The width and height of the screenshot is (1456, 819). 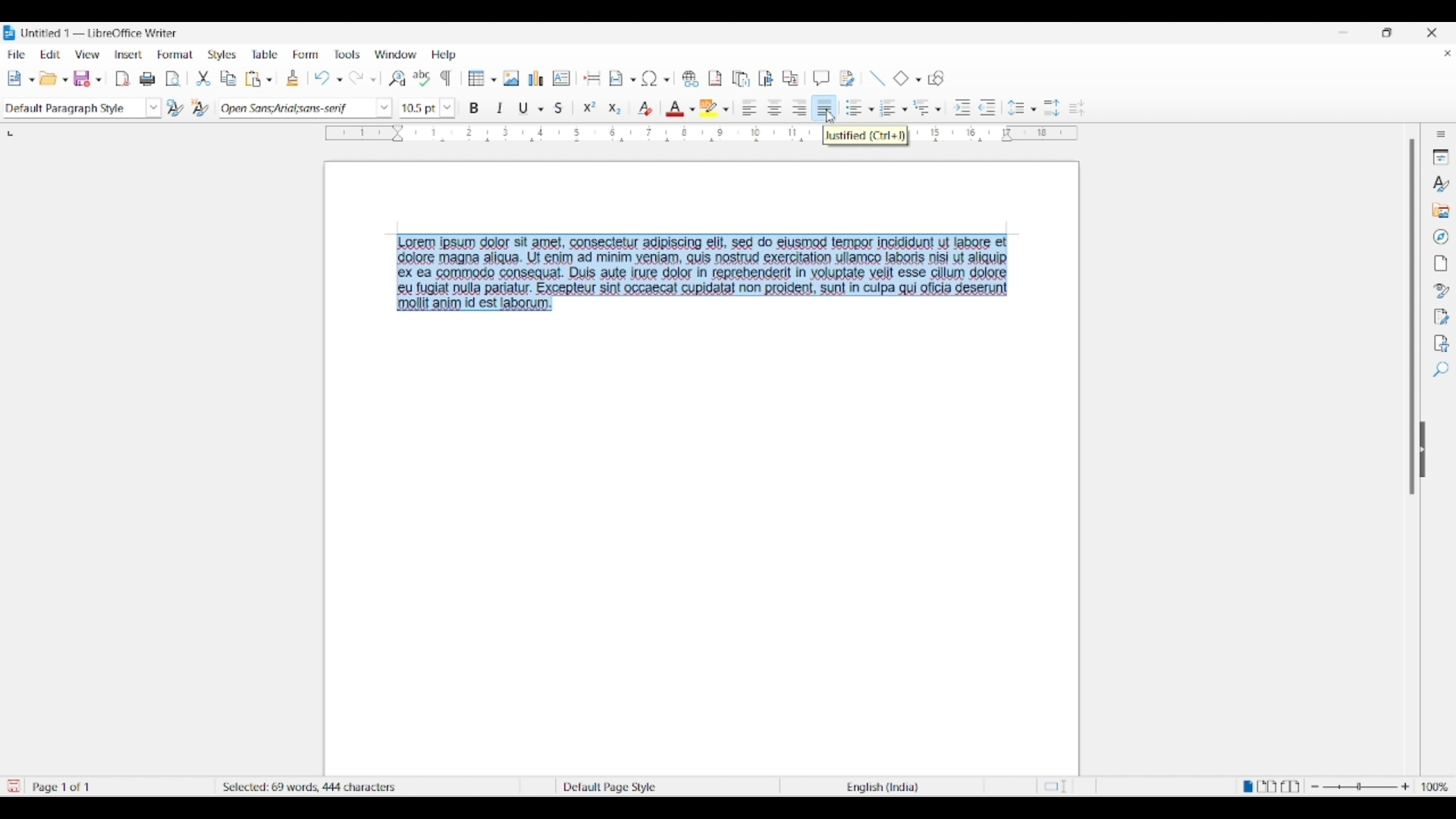 What do you see at coordinates (938, 109) in the screenshot?
I see `Outline format options` at bounding box center [938, 109].